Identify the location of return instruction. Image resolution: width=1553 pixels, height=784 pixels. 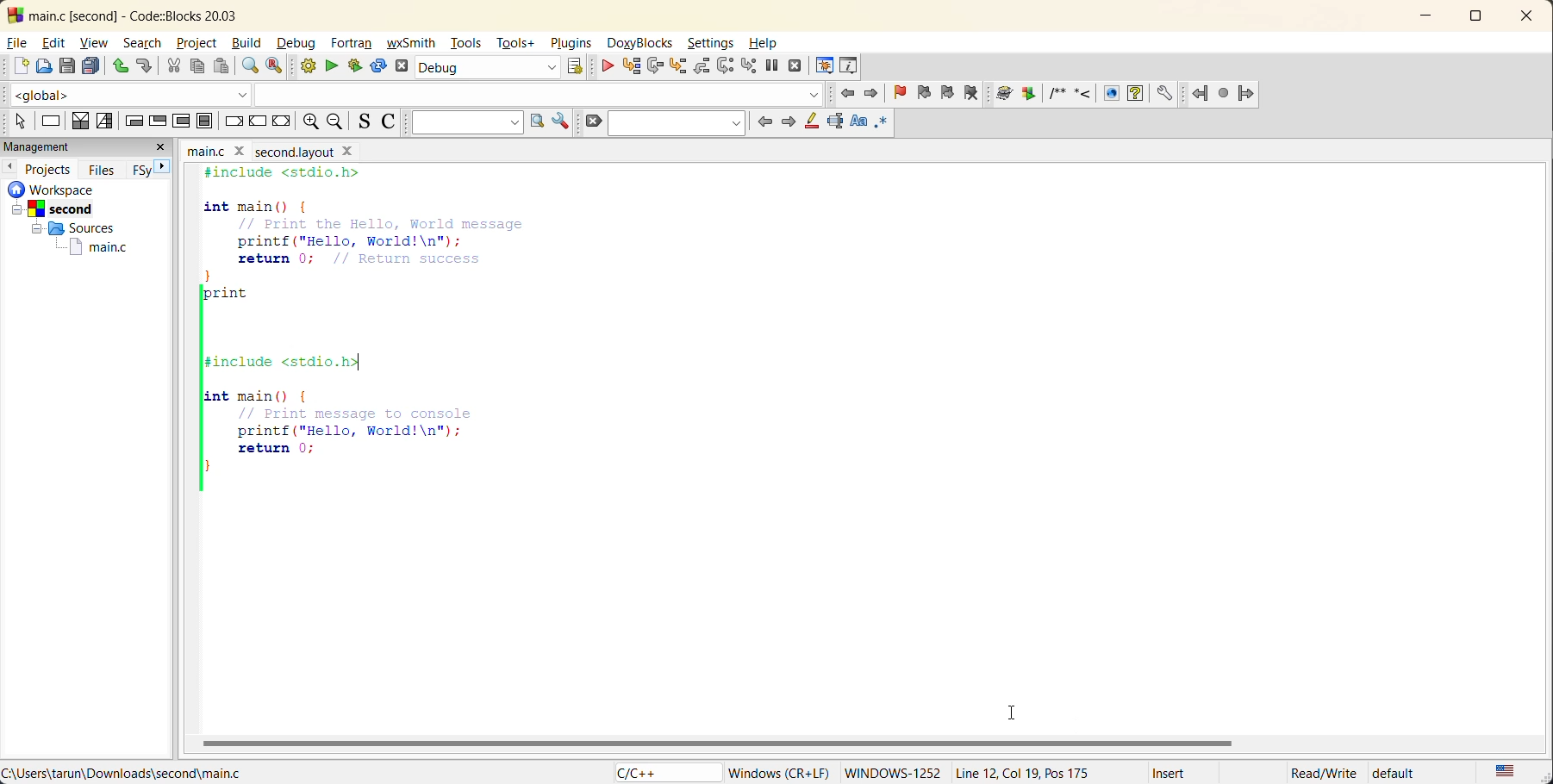
(282, 123).